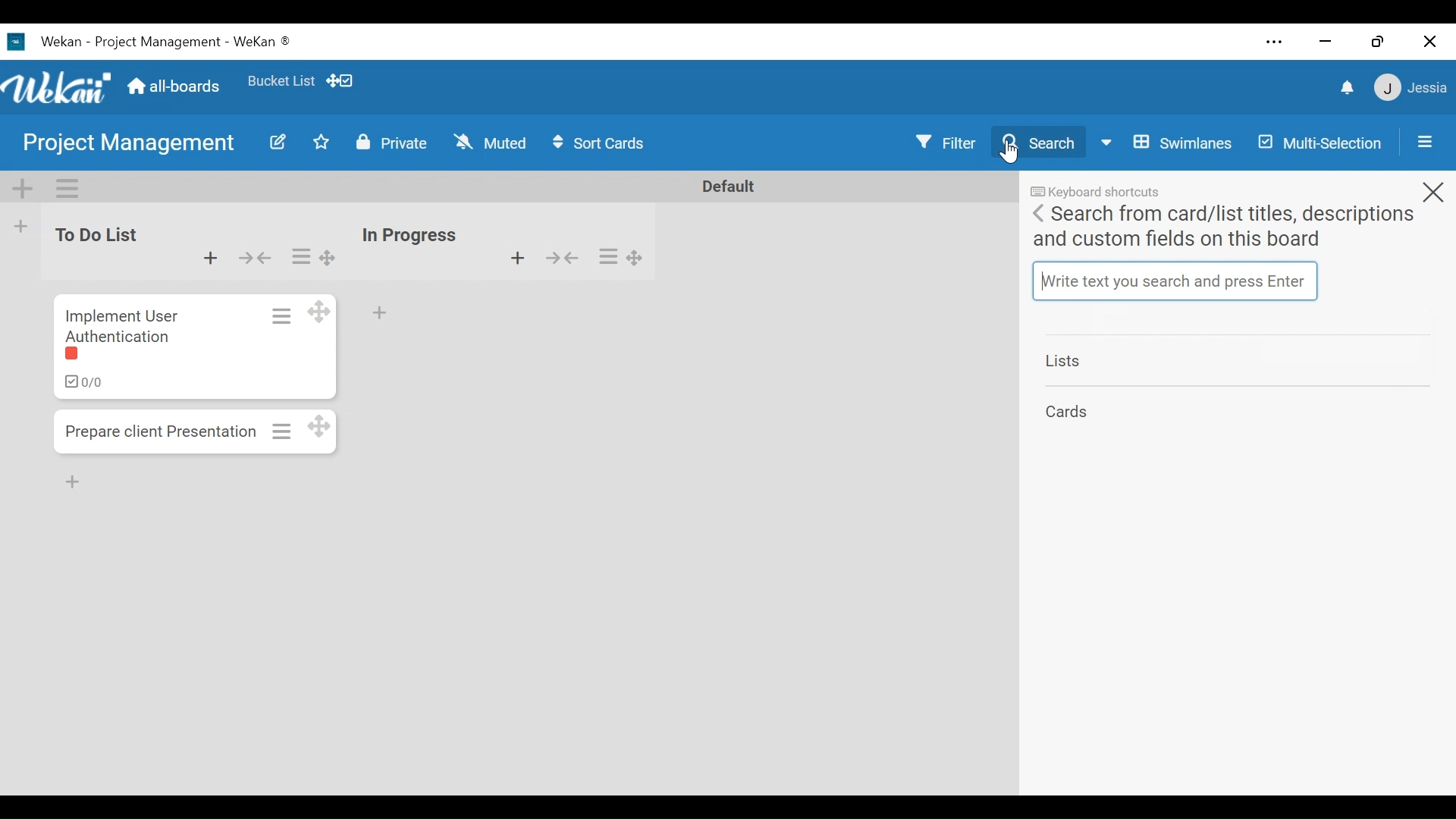 The image size is (1456, 819). What do you see at coordinates (1423, 143) in the screenshot?
I see `Open/Close Side Pane` at bounding box center [1423, 143].